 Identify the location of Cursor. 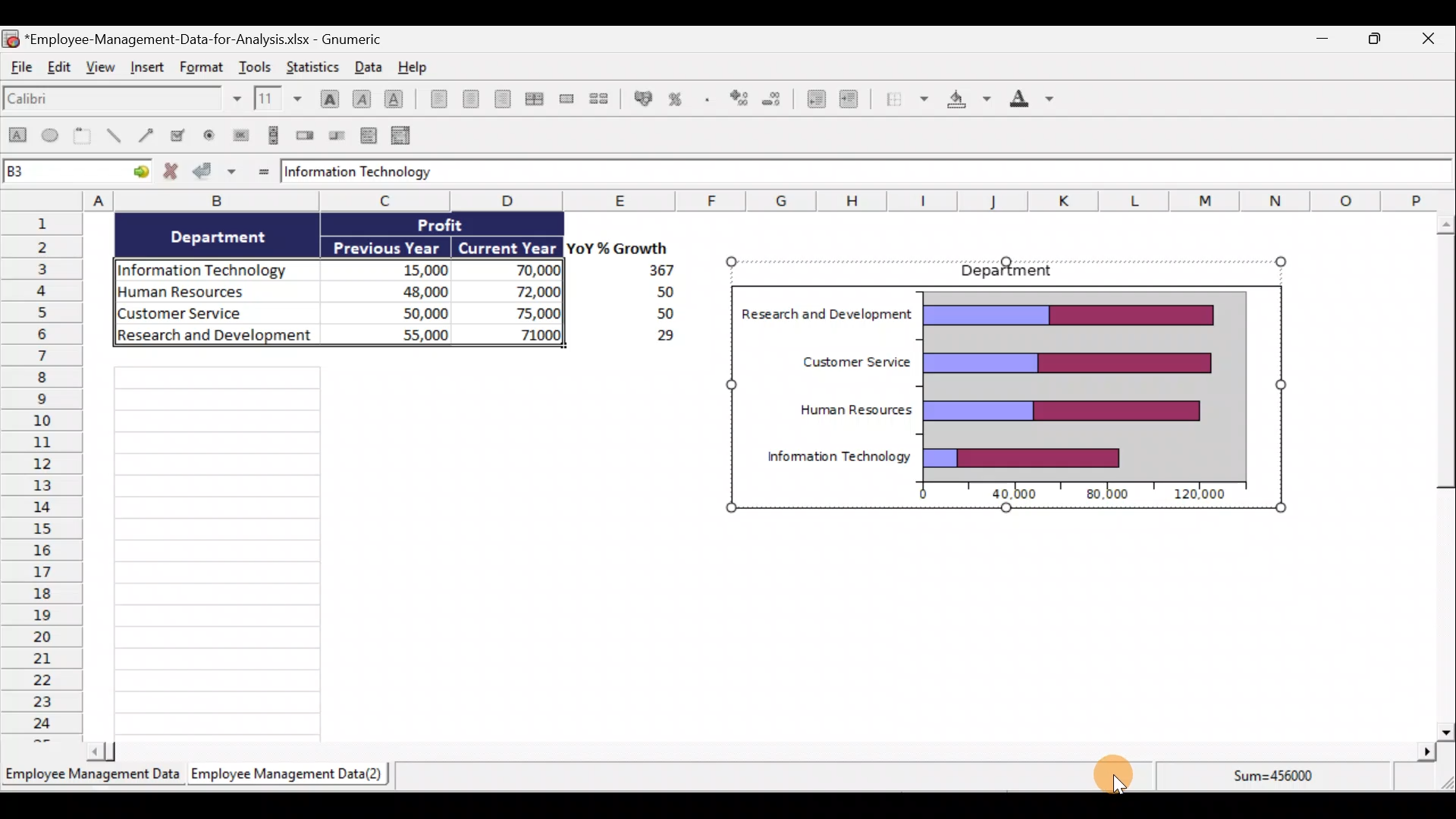
(1114, 783).